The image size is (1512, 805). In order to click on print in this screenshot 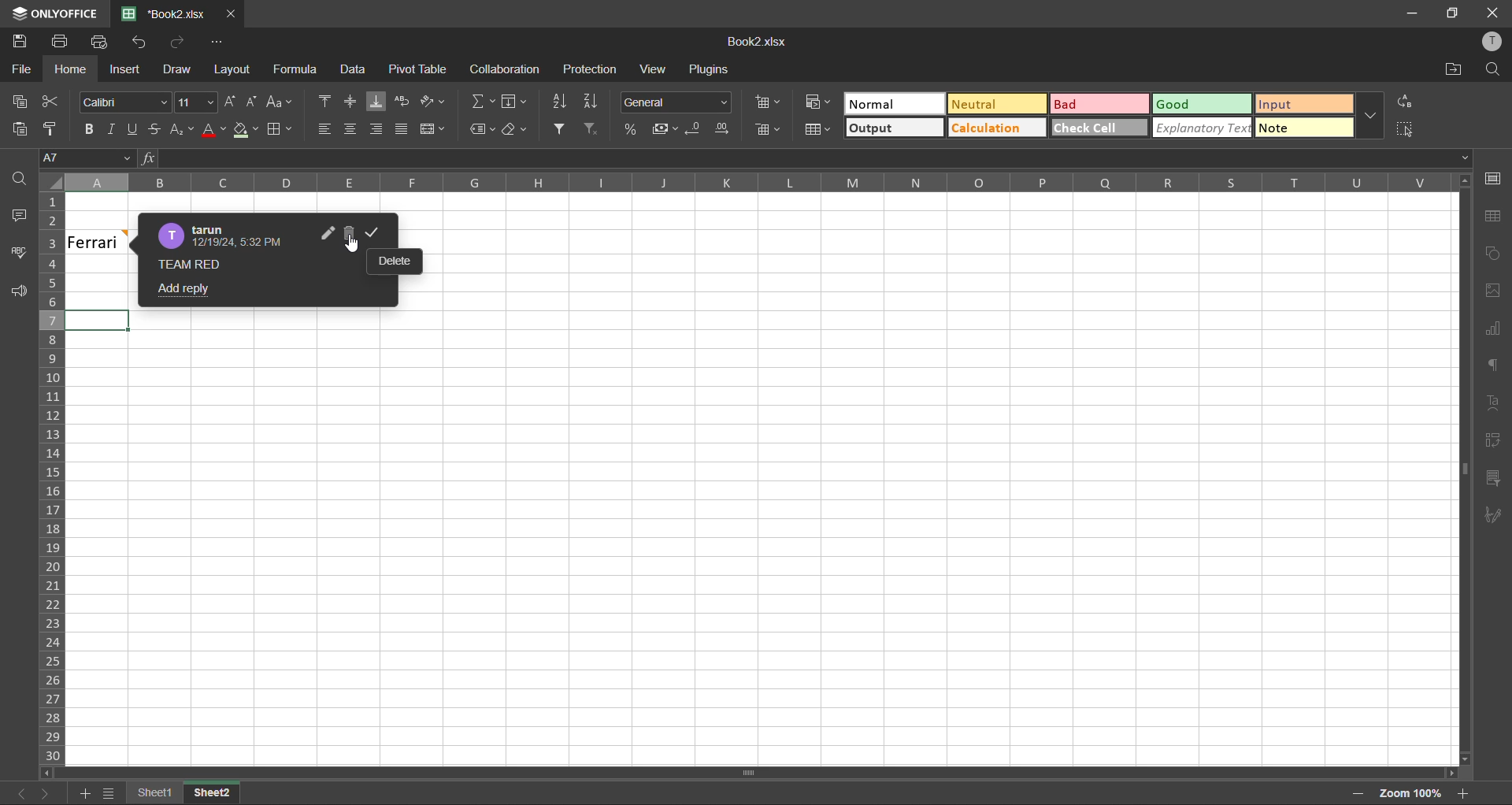, I will do `click(63, 44)`.